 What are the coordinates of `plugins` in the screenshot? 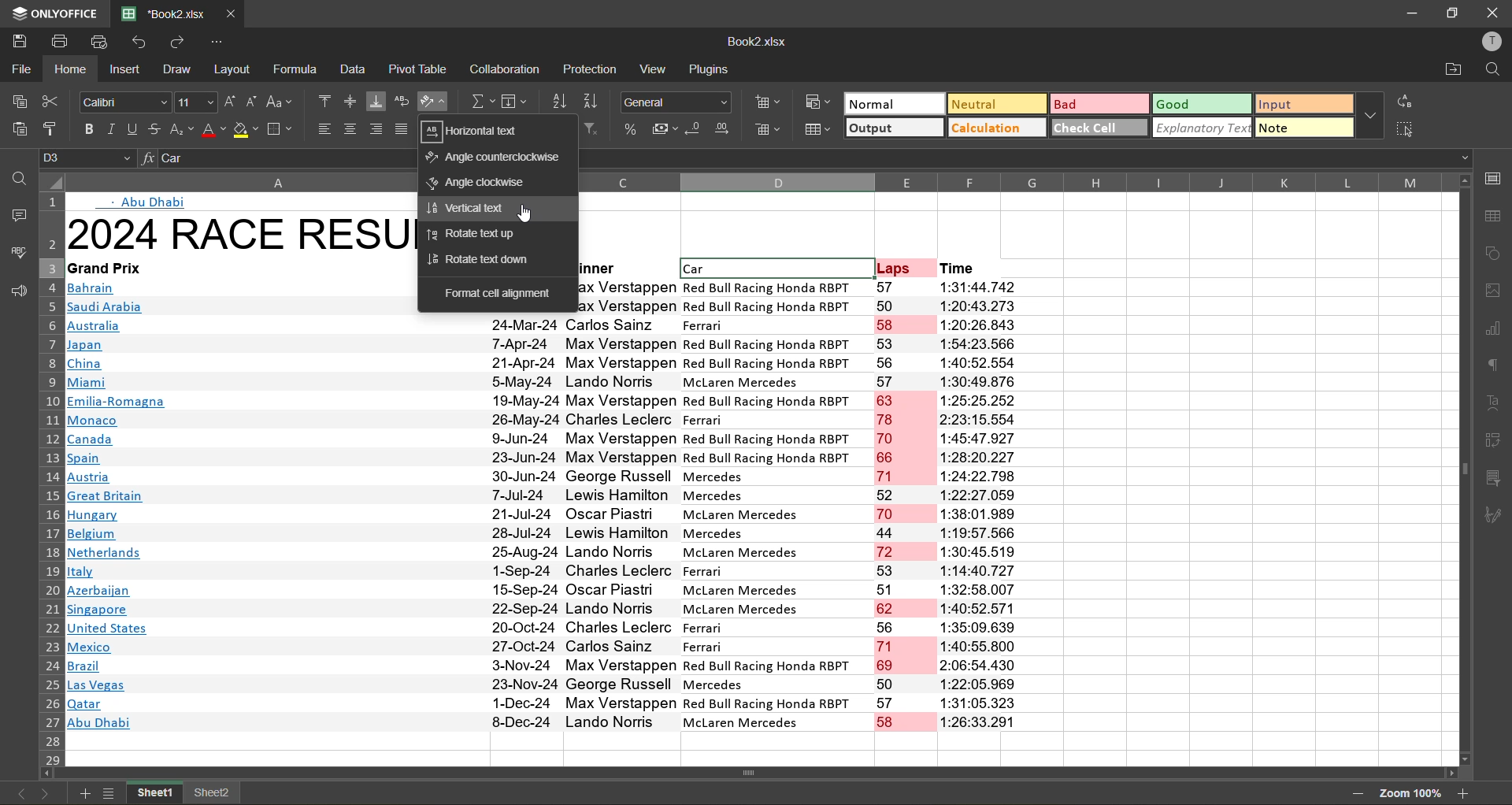 It's located at (710, 69).